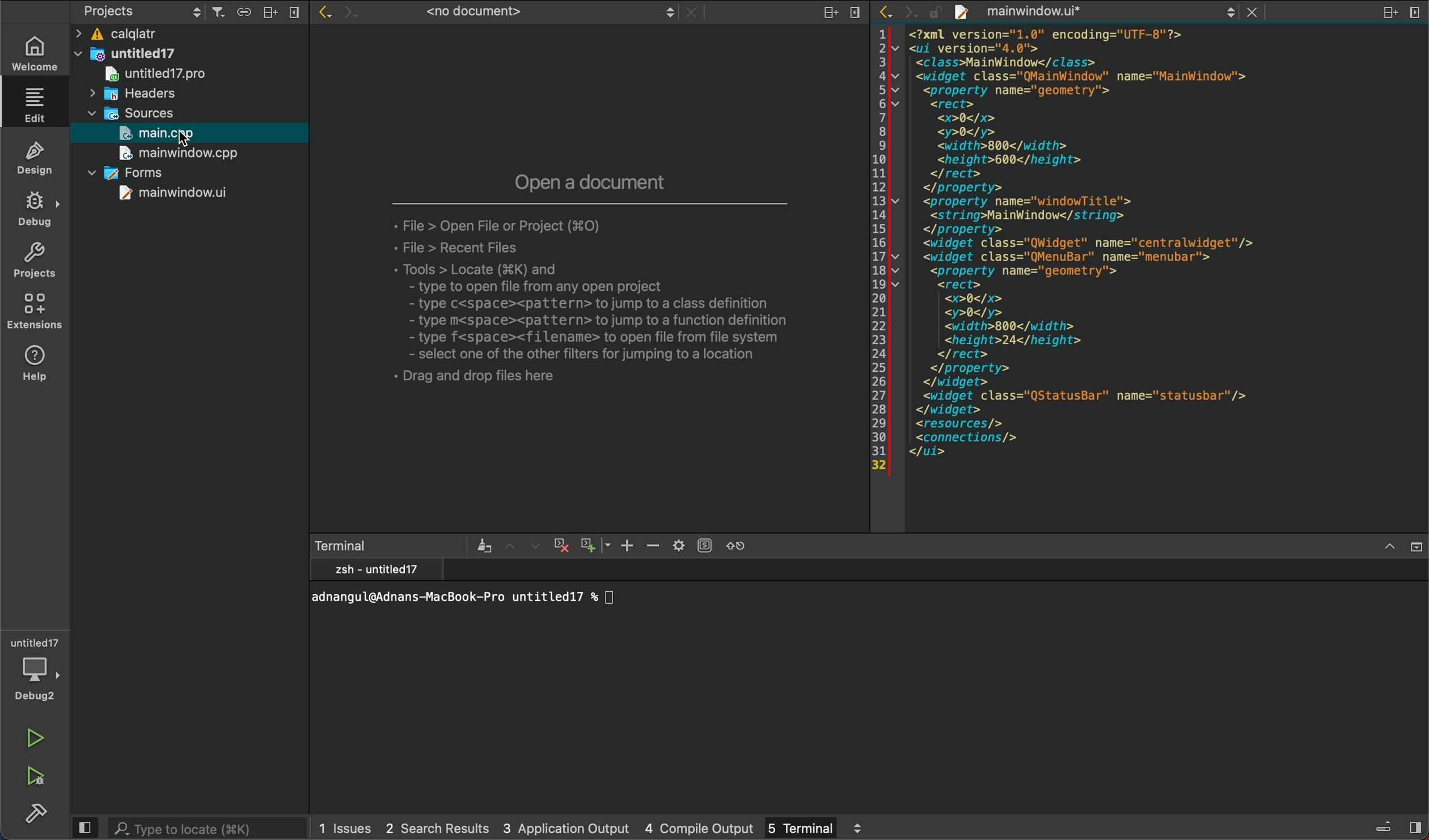 The width and height of the screenshot is (1429, 840). I want to click on new split file tab, so click(601, 283).